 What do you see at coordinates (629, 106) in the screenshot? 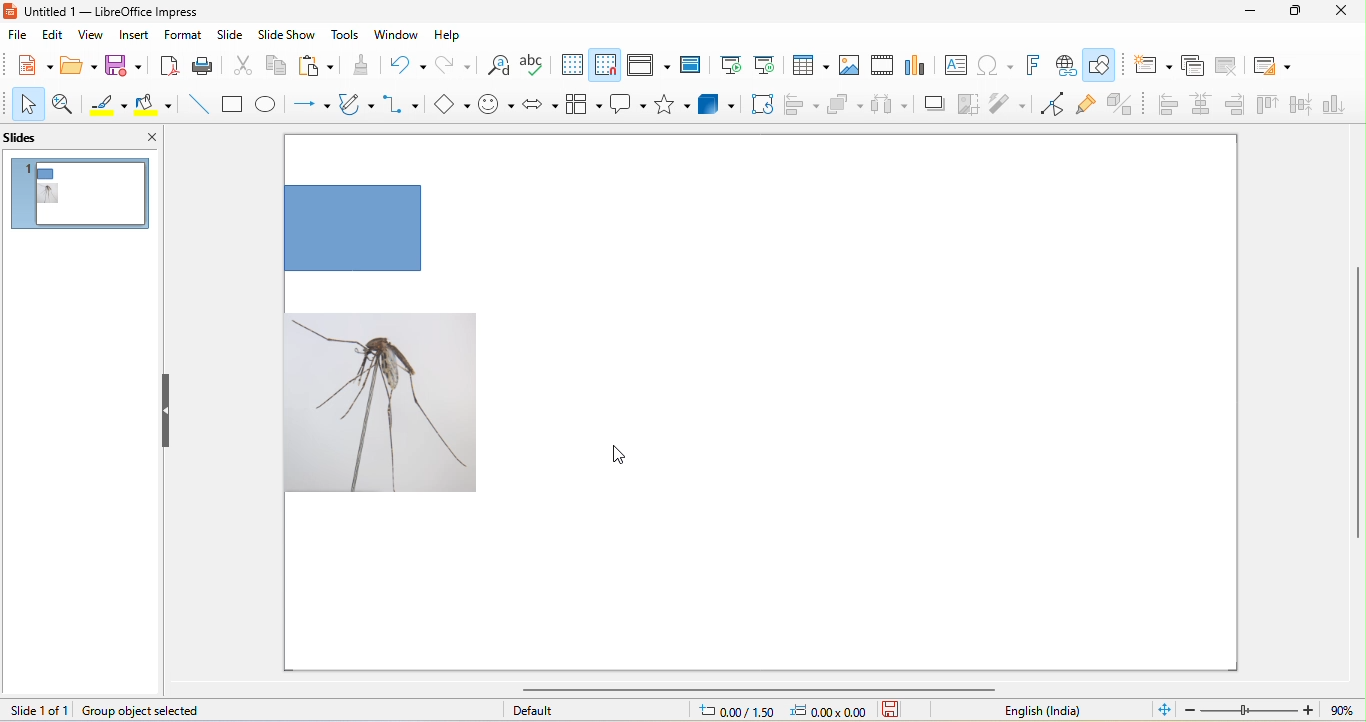
I see `callout shapes` at bounding box center [629, 106].